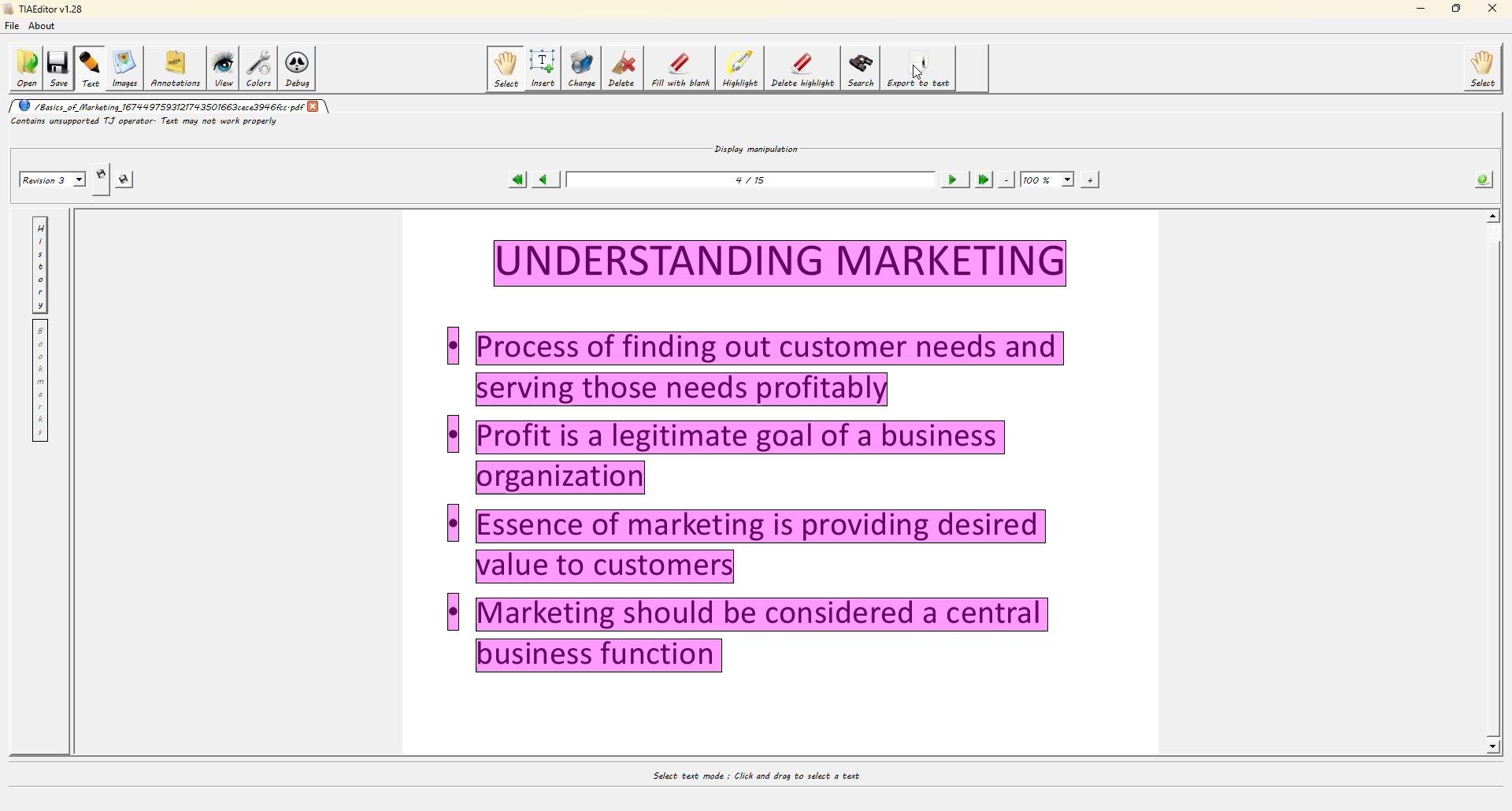 This screenshot has width=1512, height=811. I want to click on change, so click(581, 69).